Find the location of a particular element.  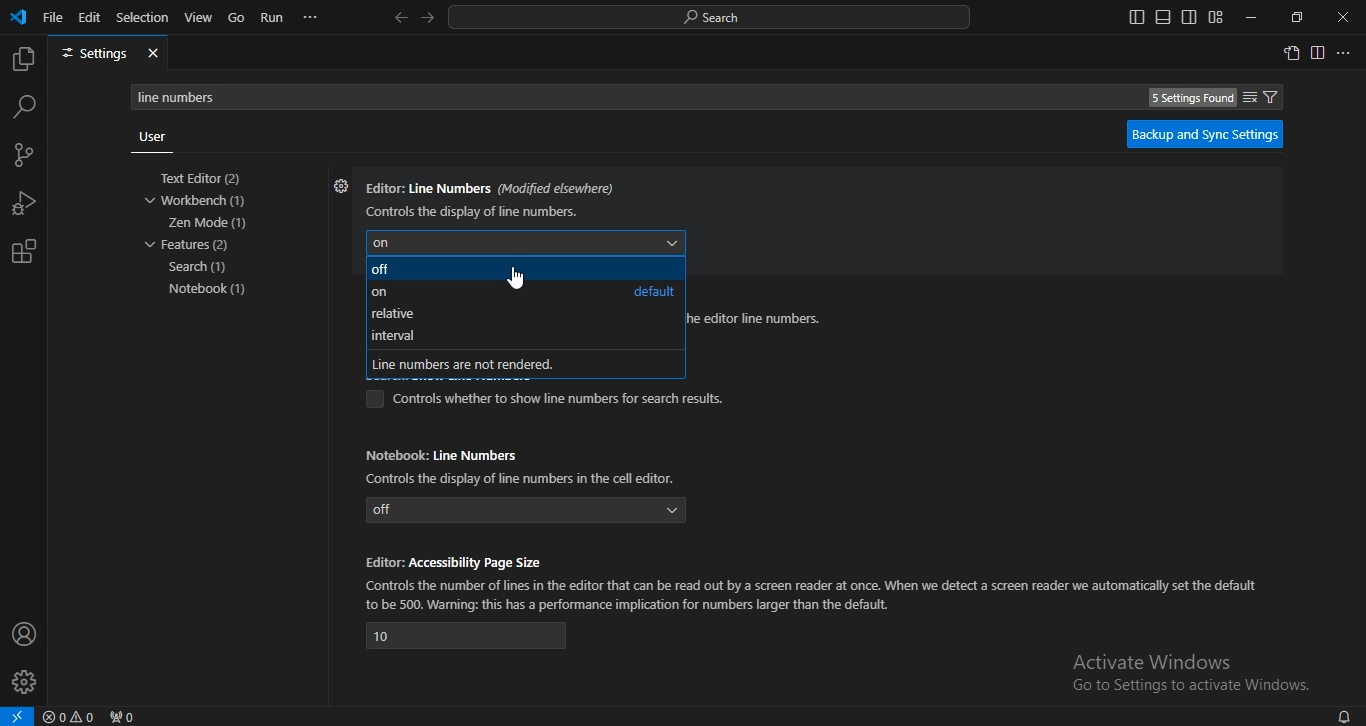

no problems is located at coordinates (72, 717).